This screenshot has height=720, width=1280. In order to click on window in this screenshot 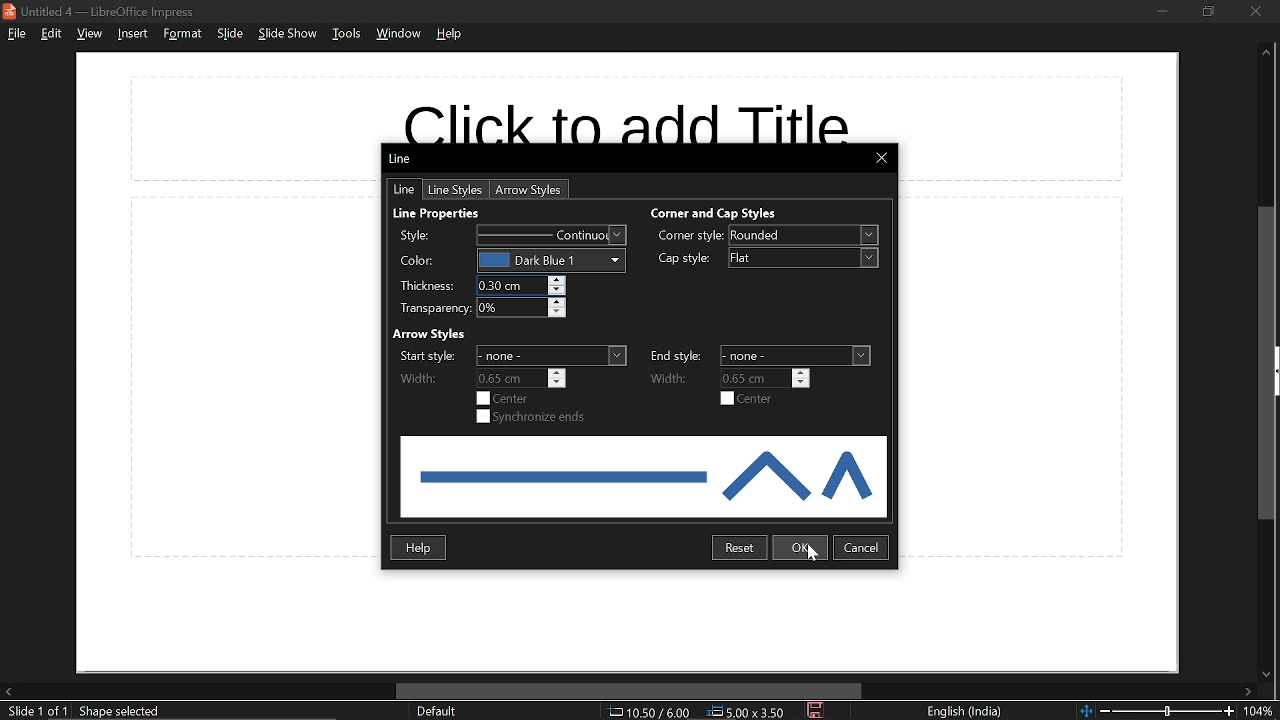, I will do `click(398, 34)`.